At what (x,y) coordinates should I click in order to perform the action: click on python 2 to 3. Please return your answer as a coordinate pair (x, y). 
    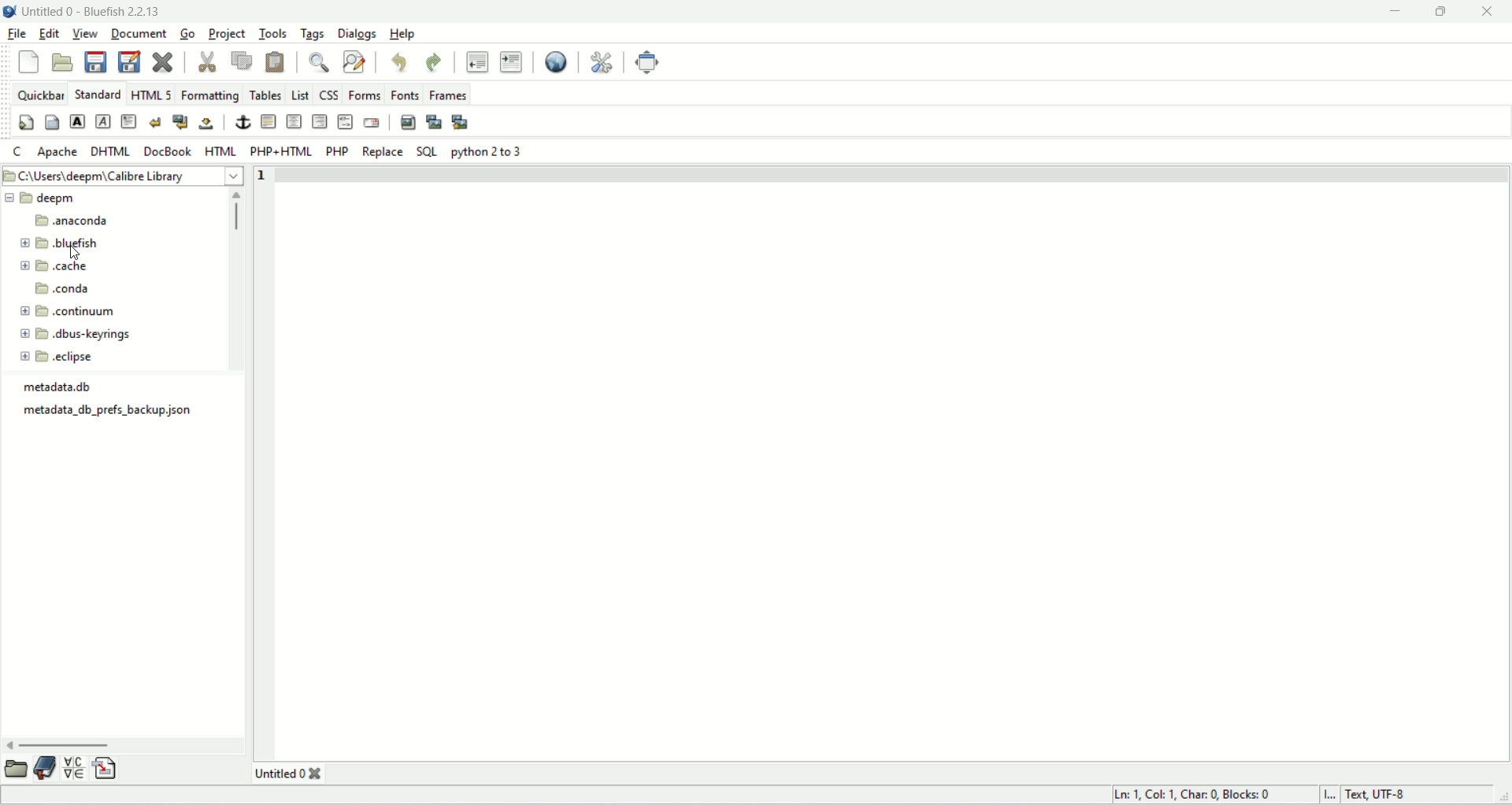
    Looking at the image, I should click on (486, 150).